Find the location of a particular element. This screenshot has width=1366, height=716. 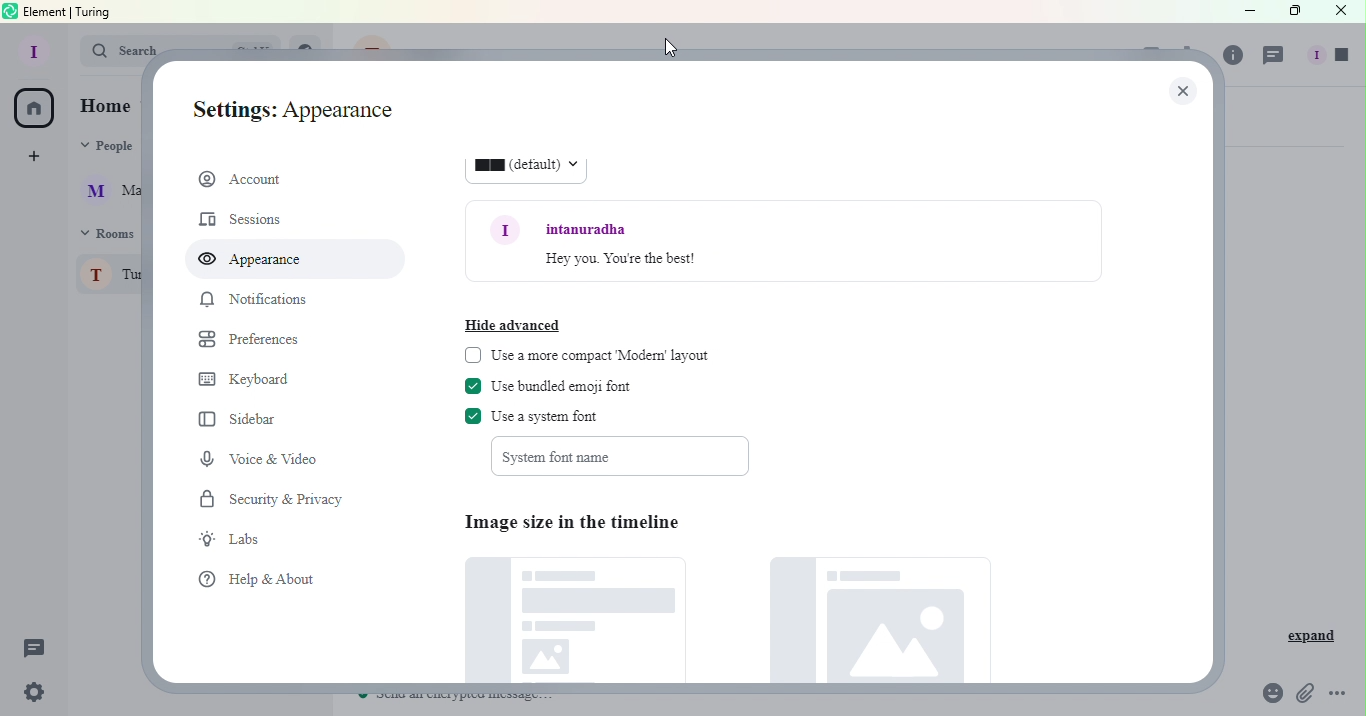

Threads is located at coordinates (1278, 58).